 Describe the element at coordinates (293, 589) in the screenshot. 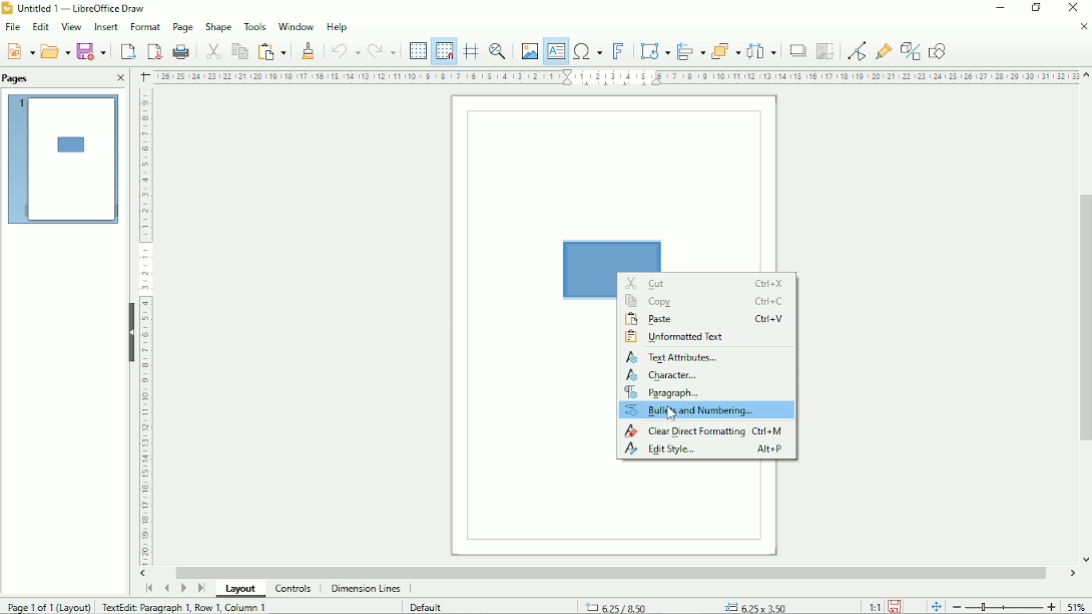

I see `Controls` at that location.